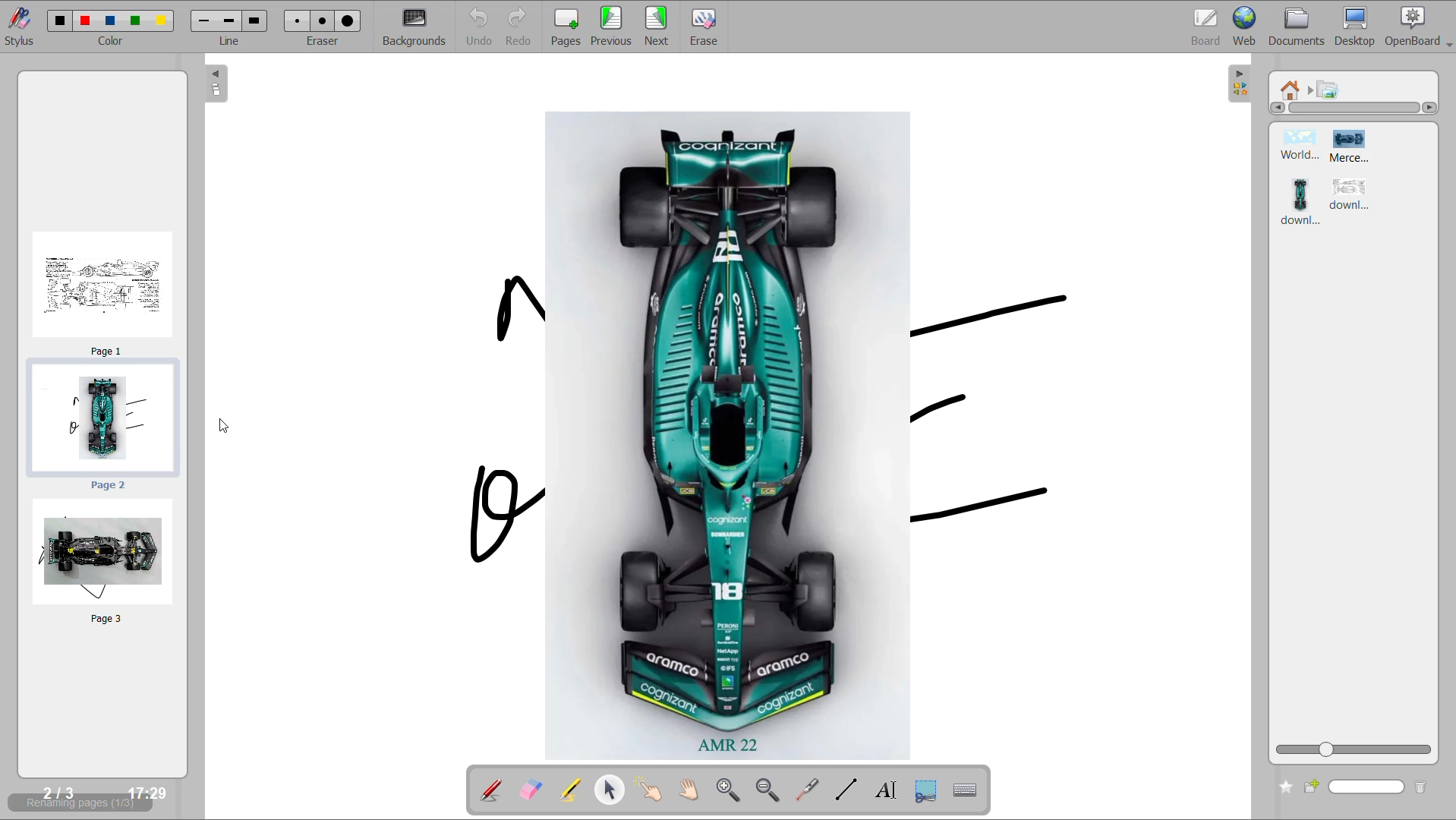 This screenshot has height=820, width=1456. Describe the element at coordinates (612, 27) in the screenshot. I see `previous` at that location.